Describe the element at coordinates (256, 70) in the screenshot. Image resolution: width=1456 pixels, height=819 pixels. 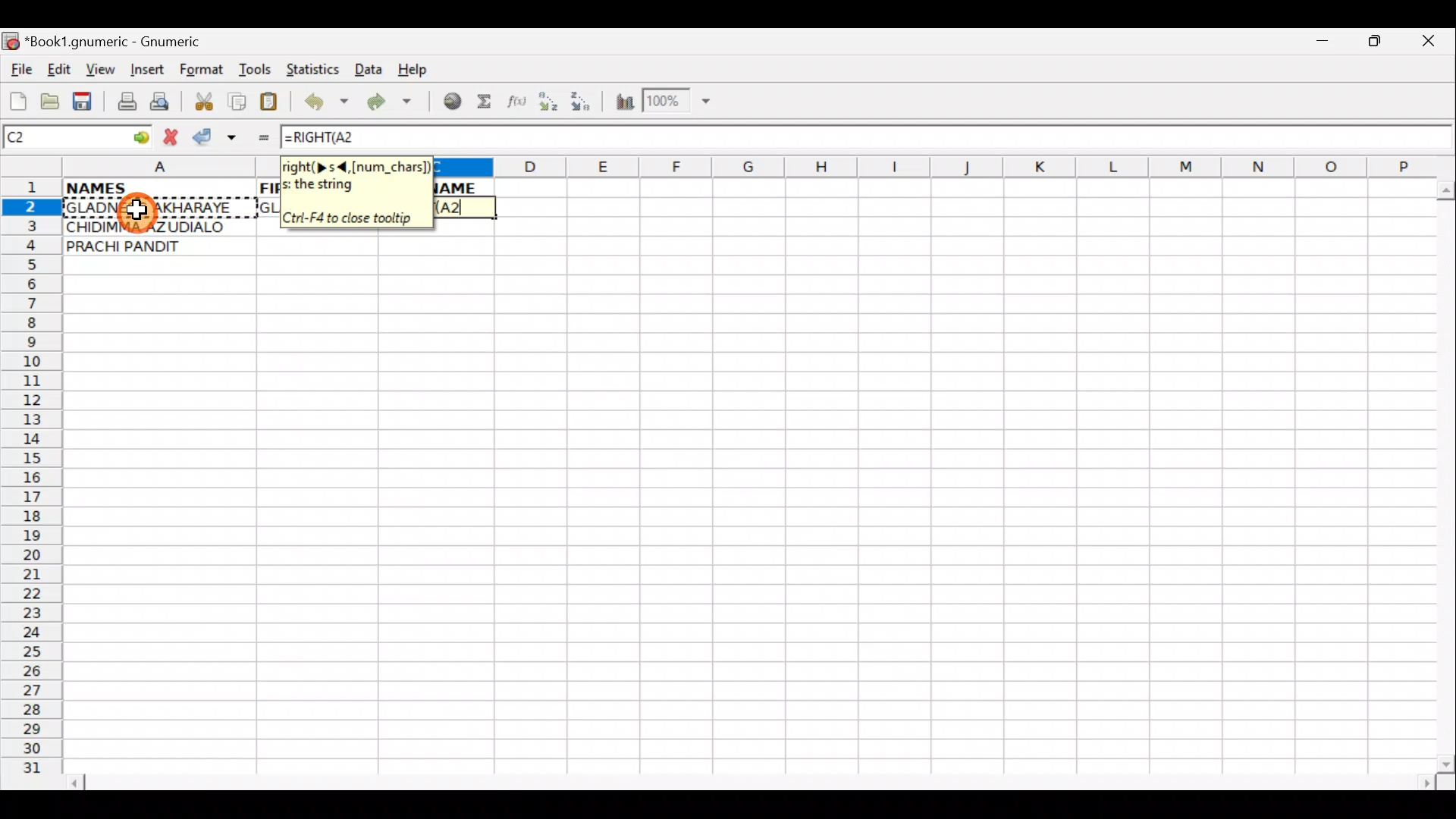
I see `Tools` at that location.